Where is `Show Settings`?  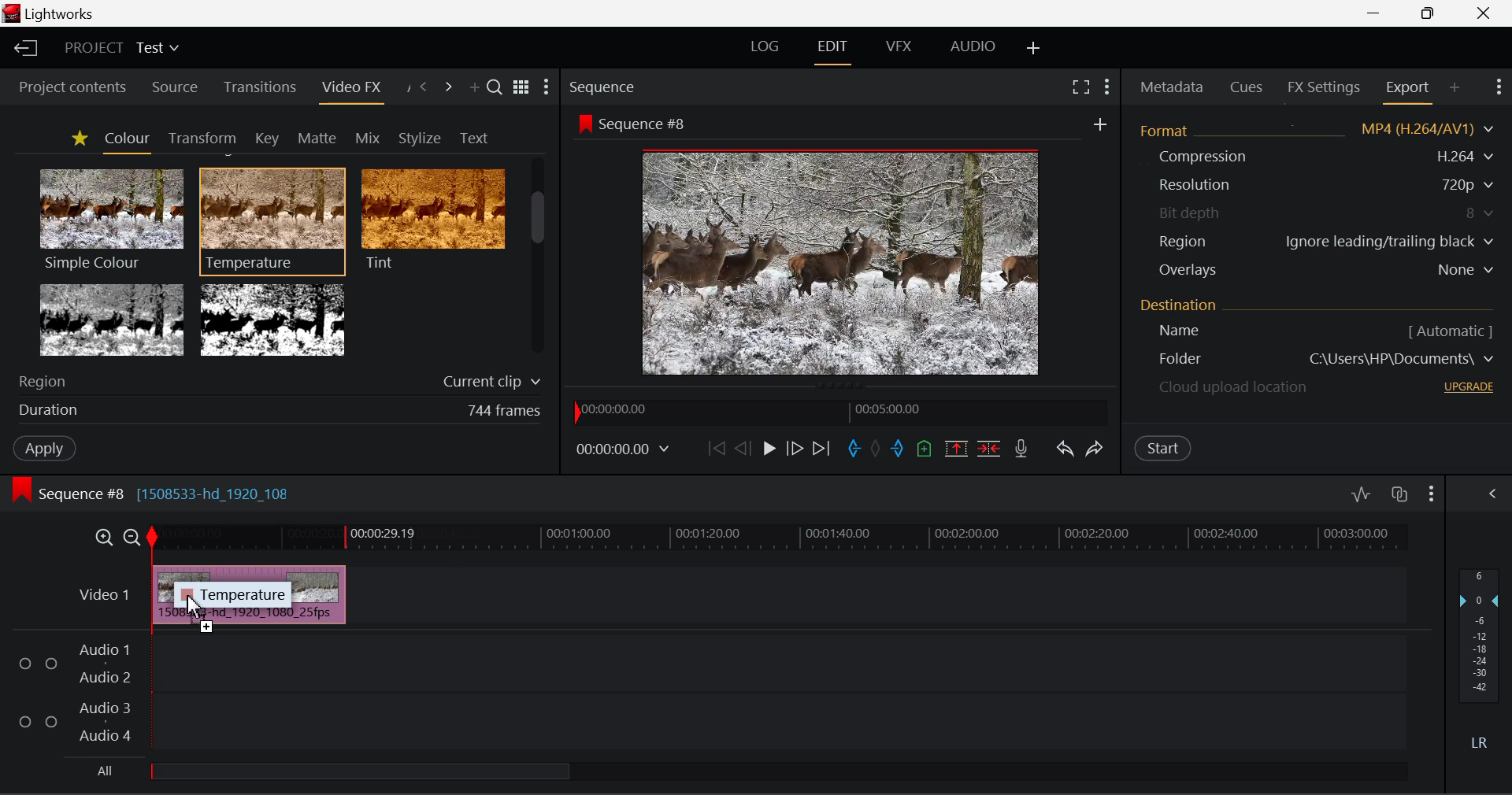 Show Settings is located at coordinates (1499, 90).